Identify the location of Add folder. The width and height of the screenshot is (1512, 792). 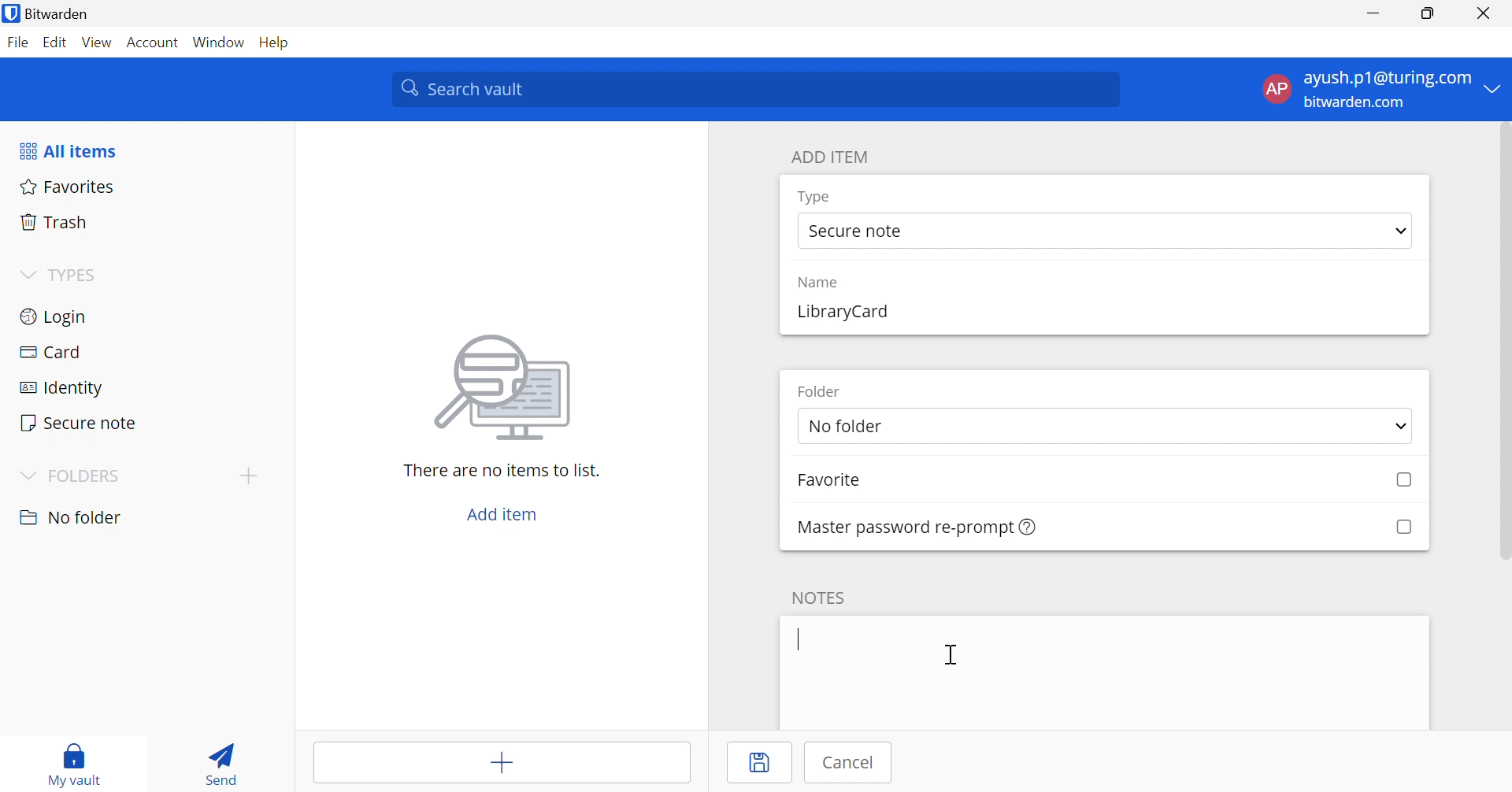
(246, 475).